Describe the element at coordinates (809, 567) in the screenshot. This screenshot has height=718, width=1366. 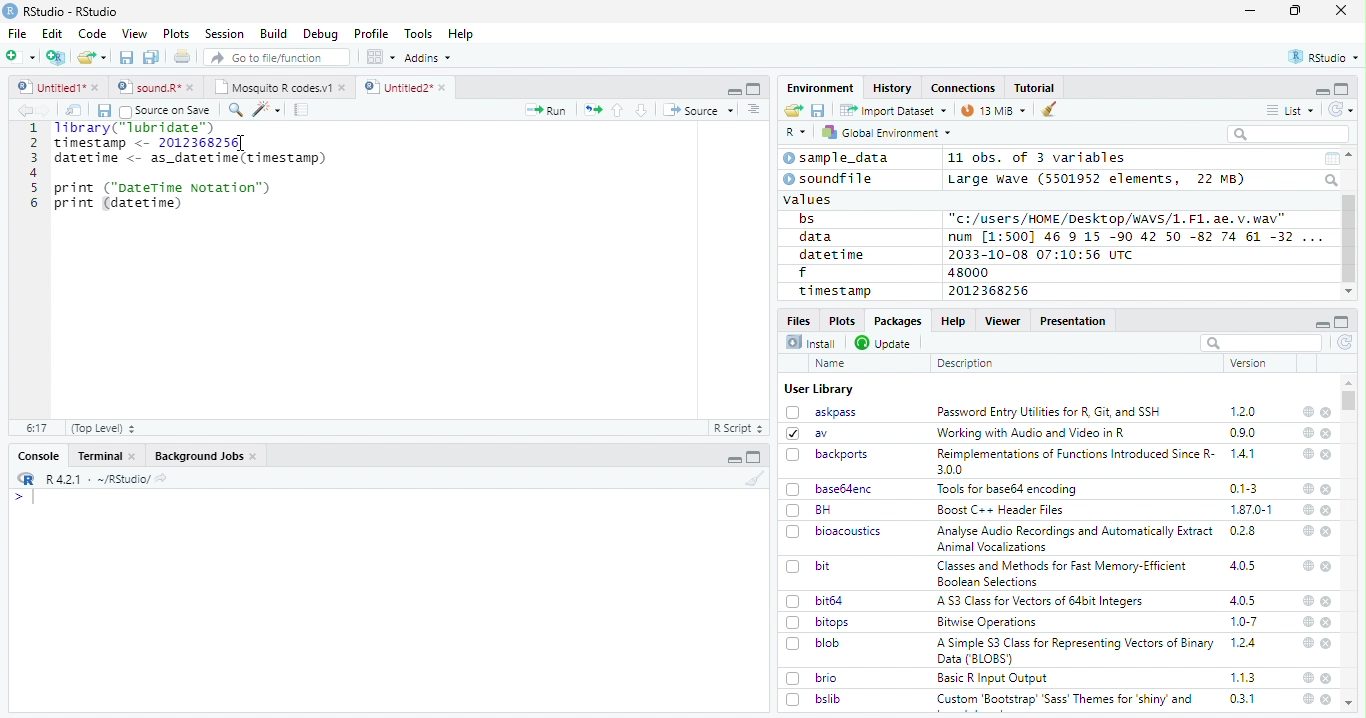
I see `bit` at that location.